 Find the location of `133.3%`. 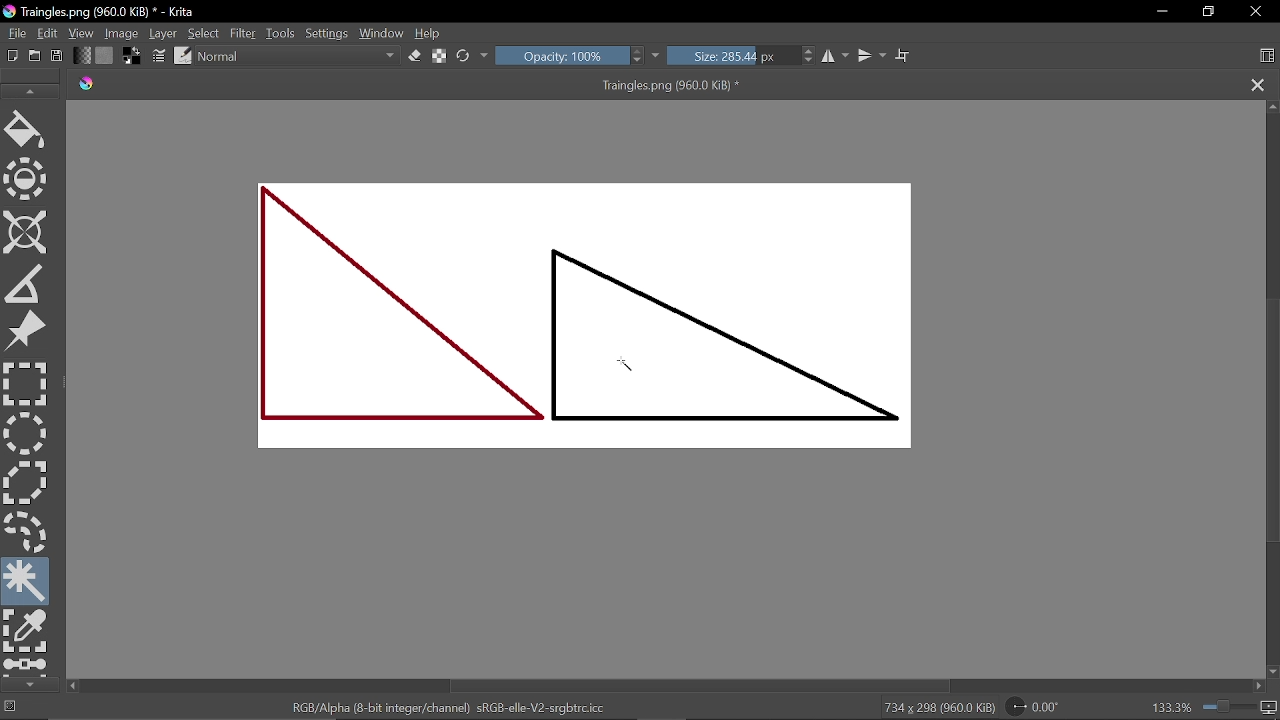

133.3% is located at coordinates (1172, 708).